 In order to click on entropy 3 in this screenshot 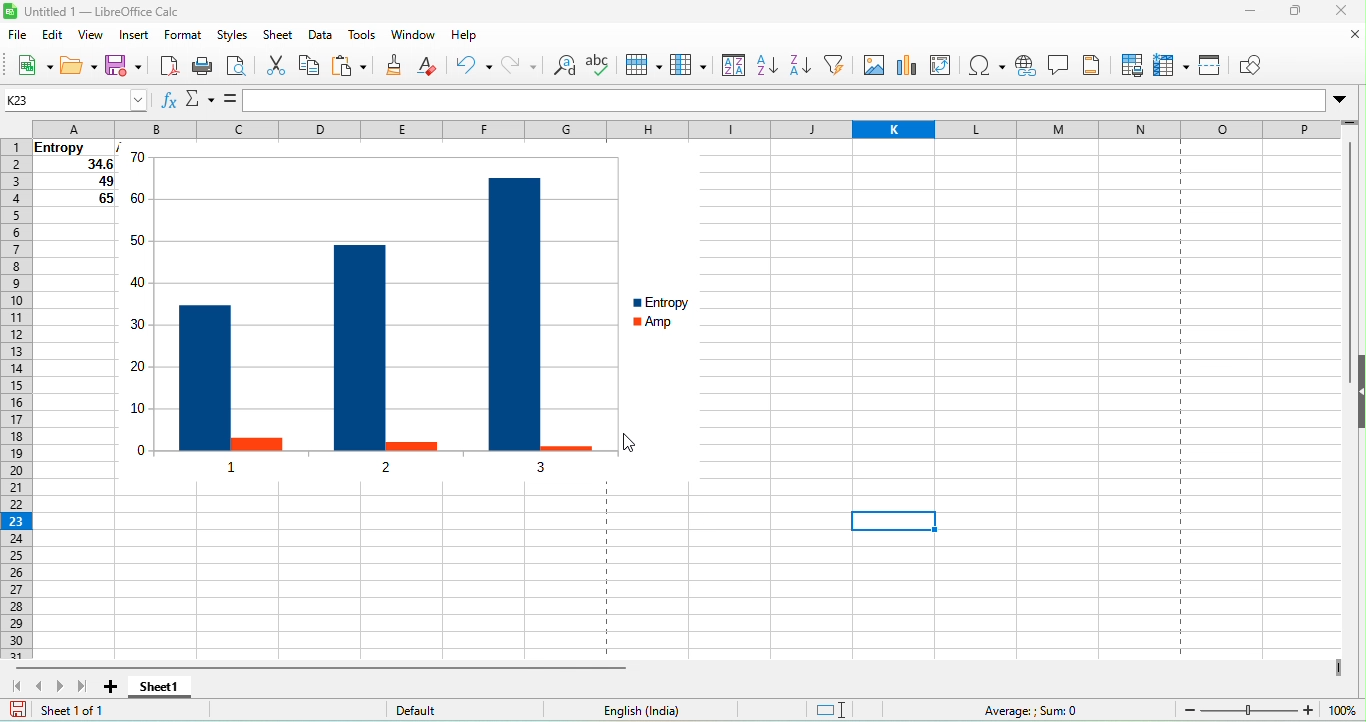, I will do `click(514, 314)`.